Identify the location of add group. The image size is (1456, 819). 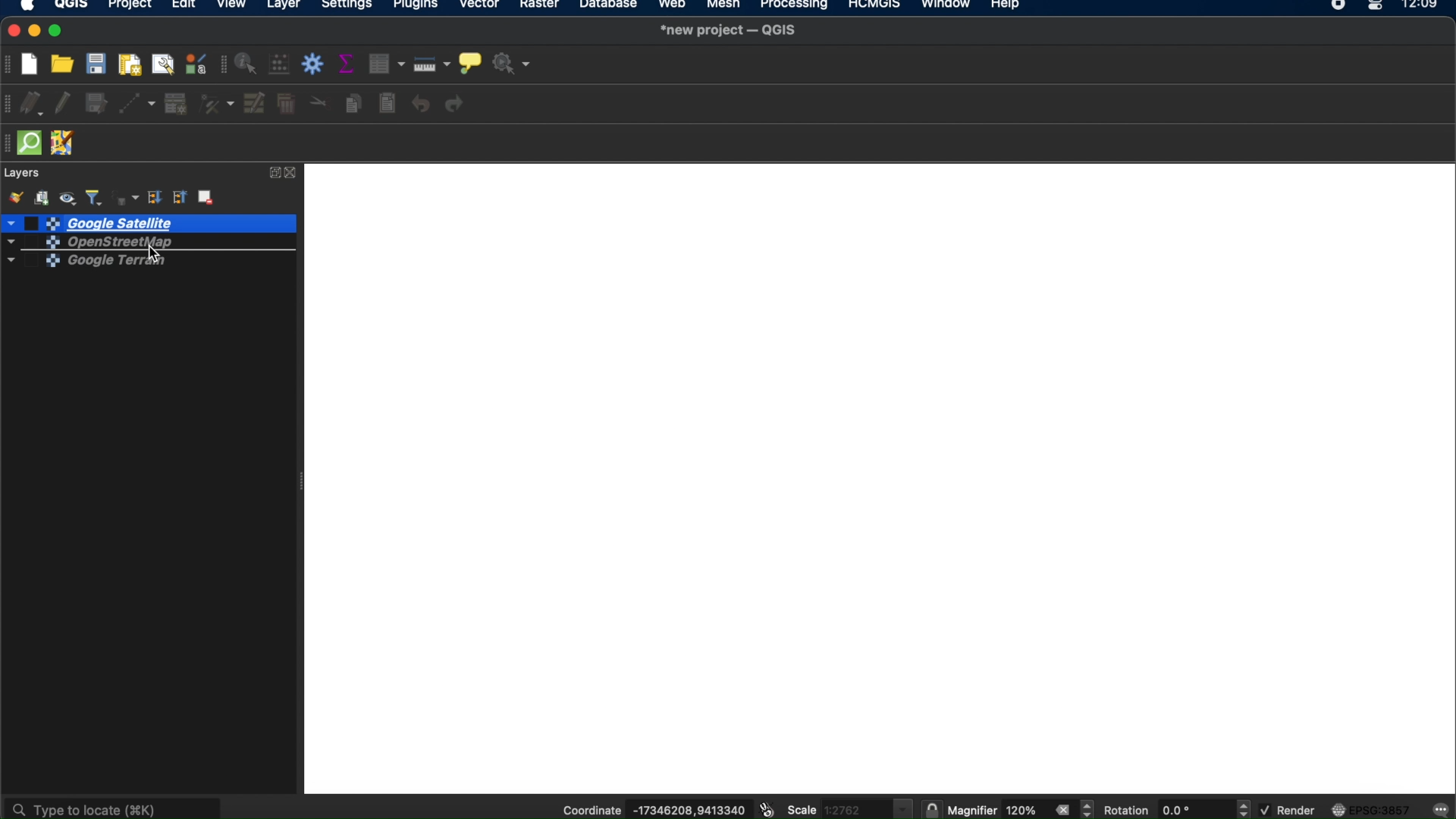
(44, 197).